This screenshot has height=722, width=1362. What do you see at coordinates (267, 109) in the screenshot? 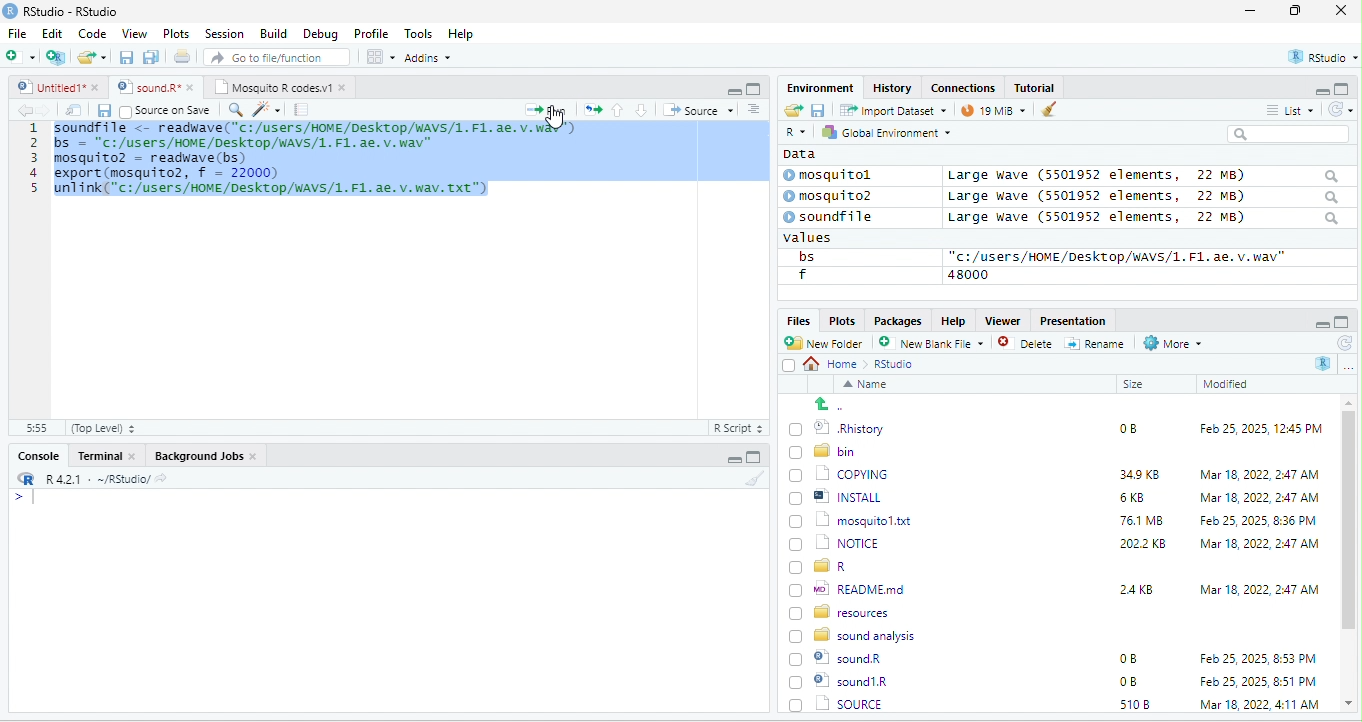
I see `sharpen` at bounding box center [267, 109].